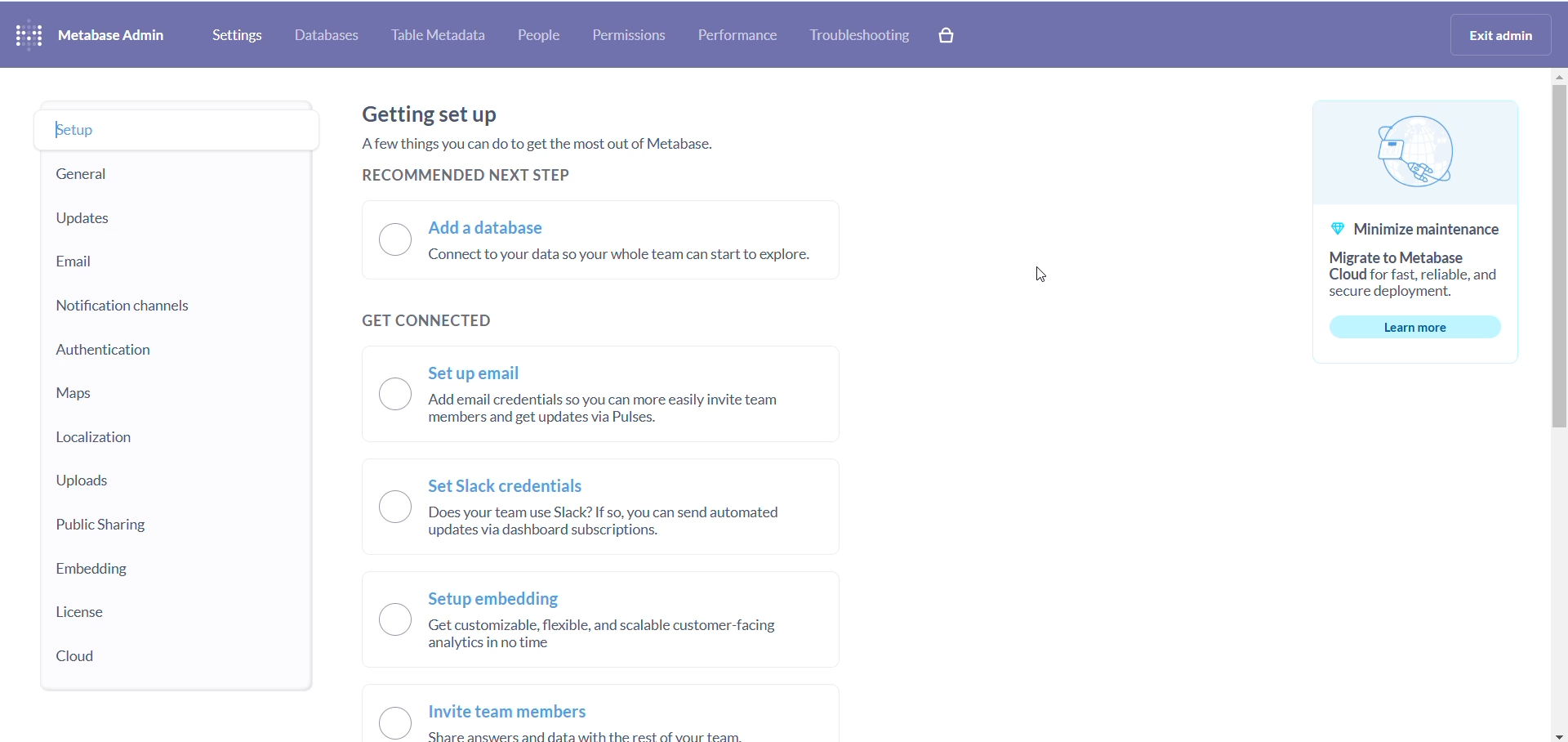 This screenshot has width=1568, height=742. I want to click on notification channel, so click(106, 308).